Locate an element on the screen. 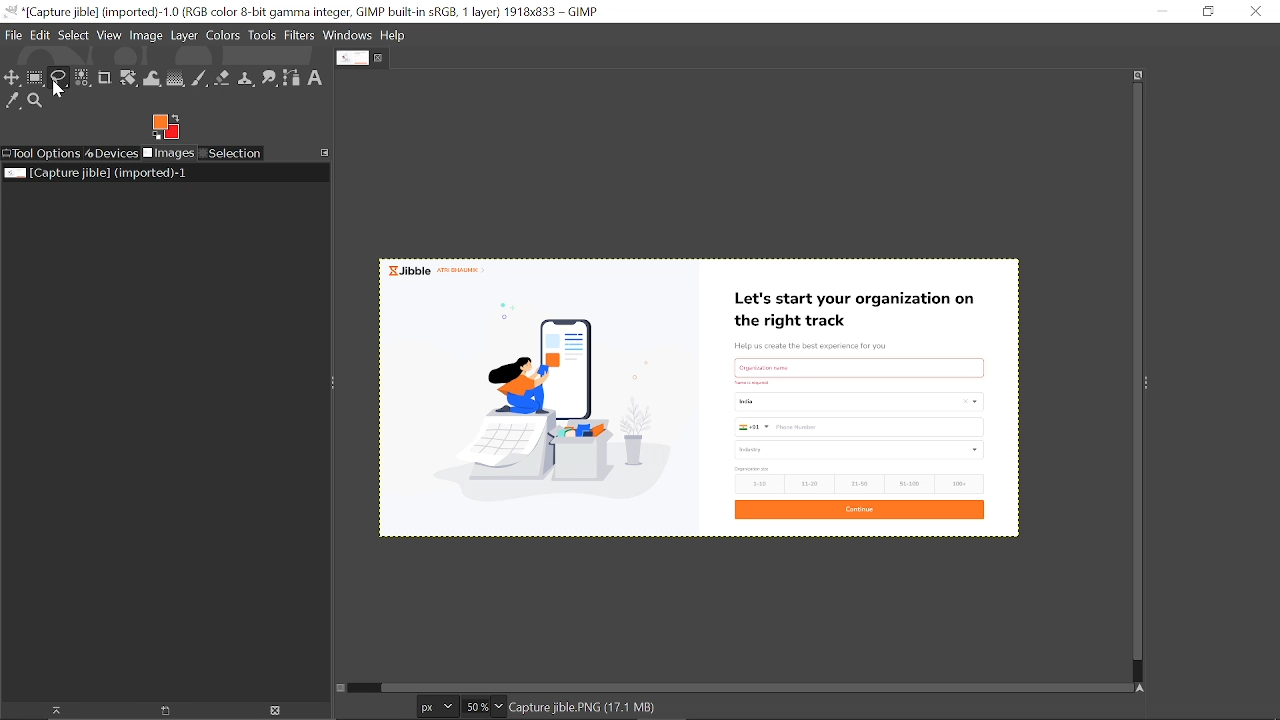  Filters is located at coordinates (300, 36).